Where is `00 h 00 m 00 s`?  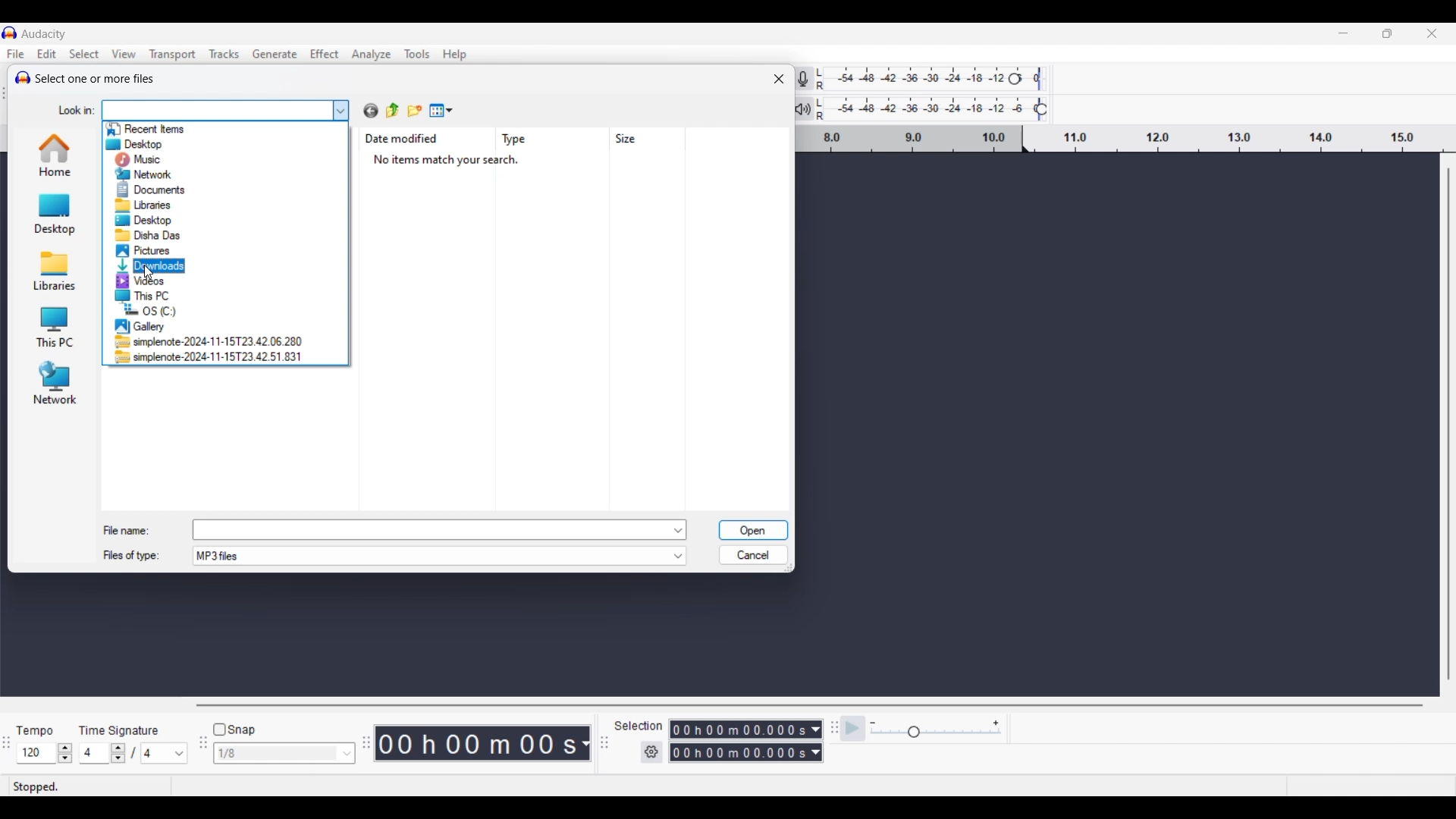 00 h 00 m 00 s is located at coordinates (485, 744).